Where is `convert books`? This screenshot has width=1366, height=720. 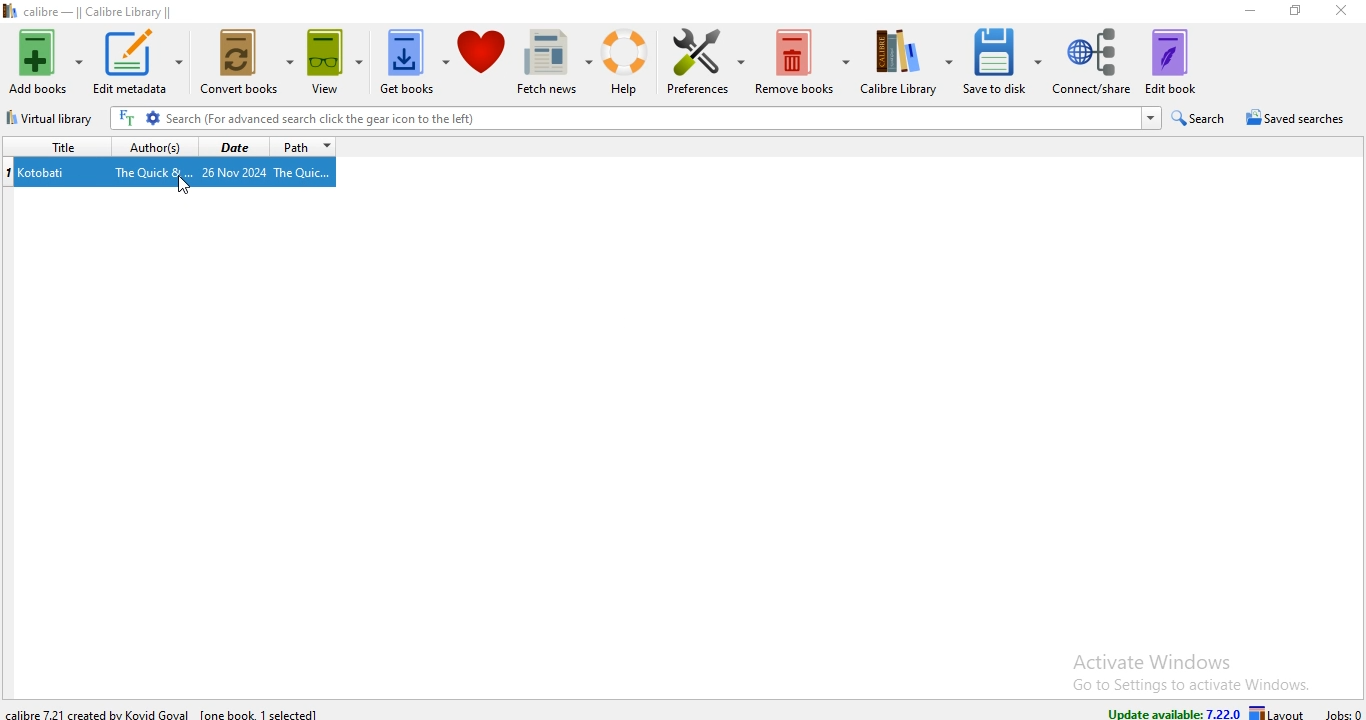
convert books is located at coordinates (245, 65).